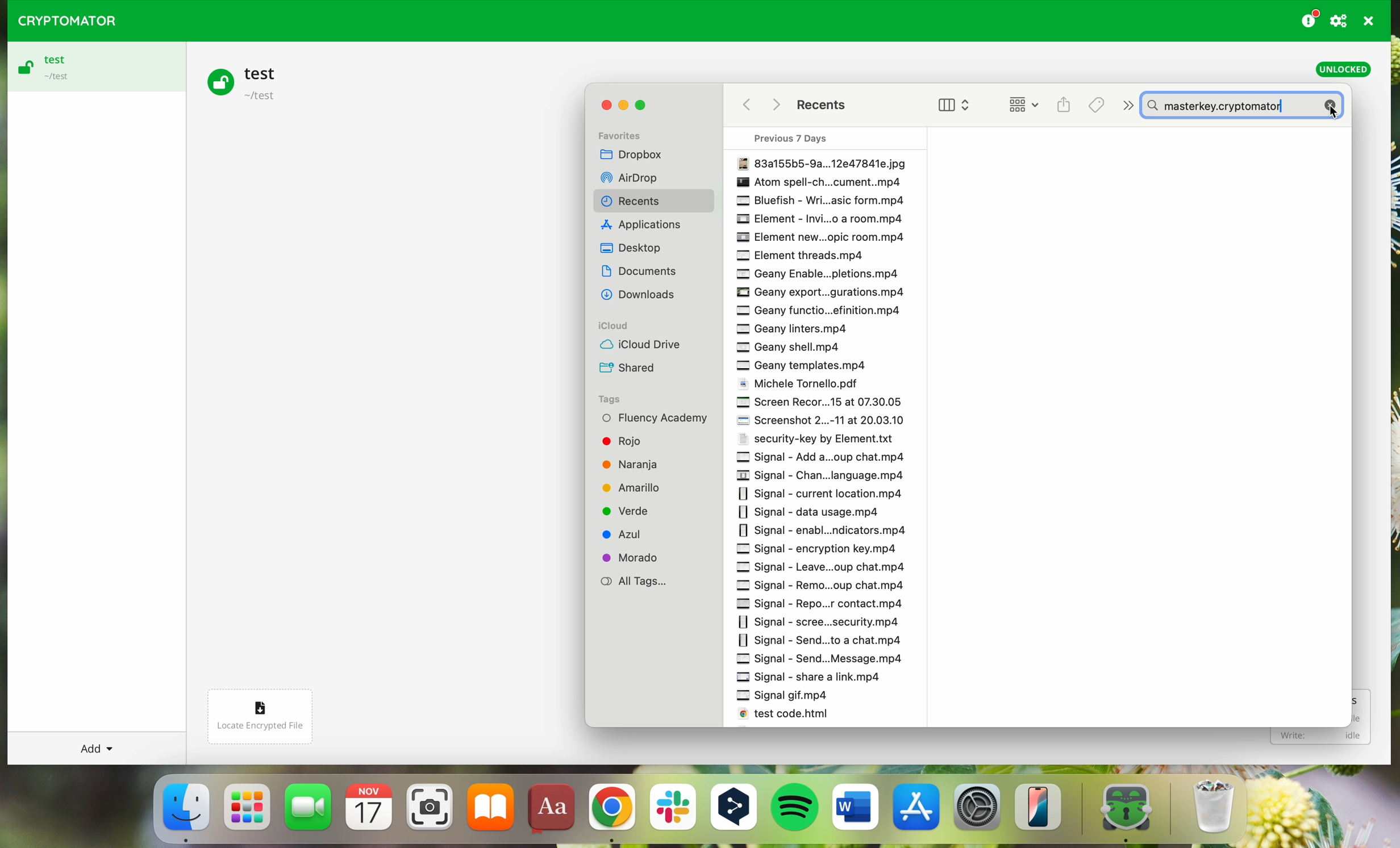  I want to click on Slack, so click(672, 812).